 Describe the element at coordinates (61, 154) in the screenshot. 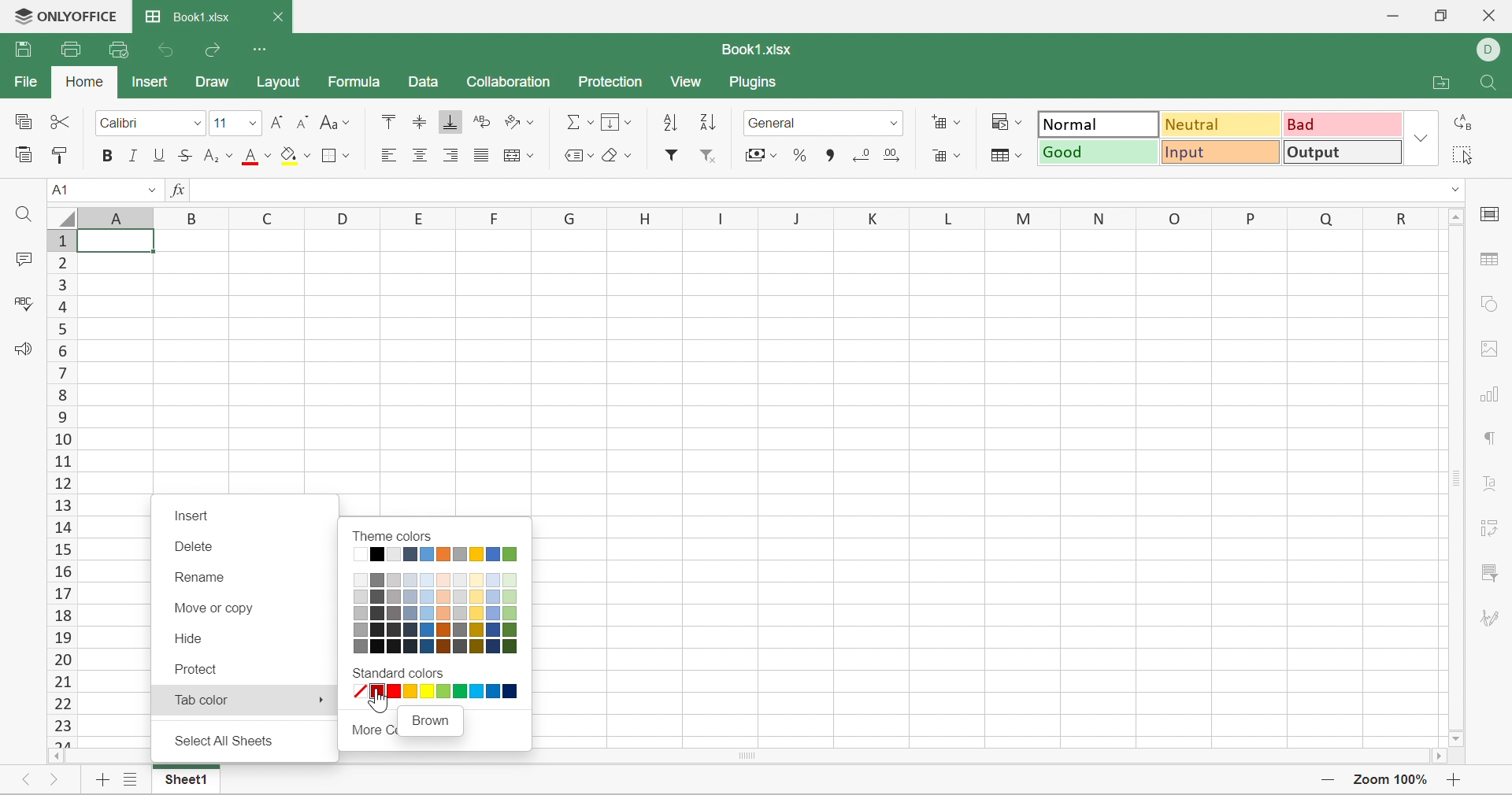

I see `Copy style` at that location.